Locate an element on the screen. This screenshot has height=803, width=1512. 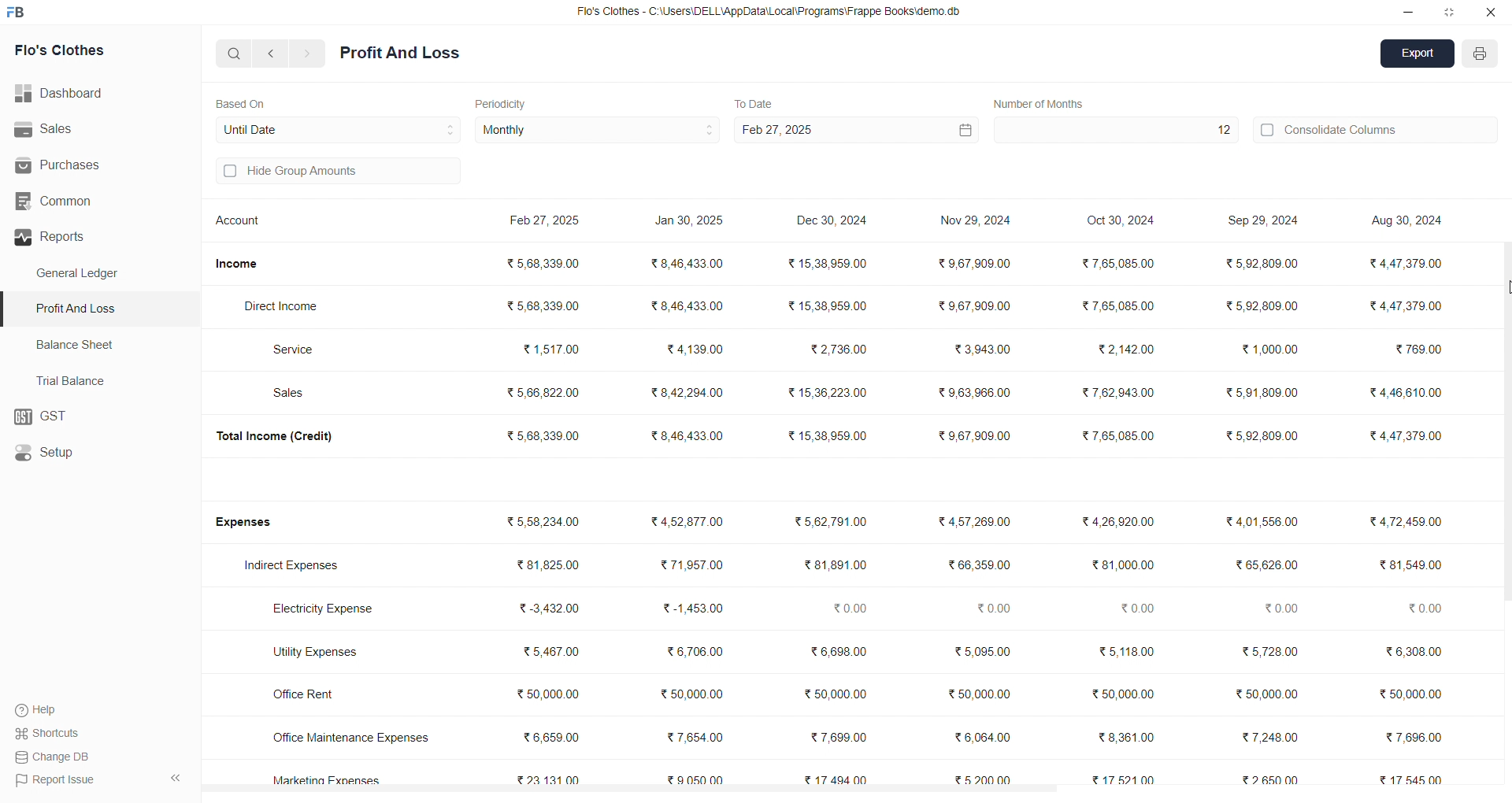
navigate backward is located at coordinates (273, 53).